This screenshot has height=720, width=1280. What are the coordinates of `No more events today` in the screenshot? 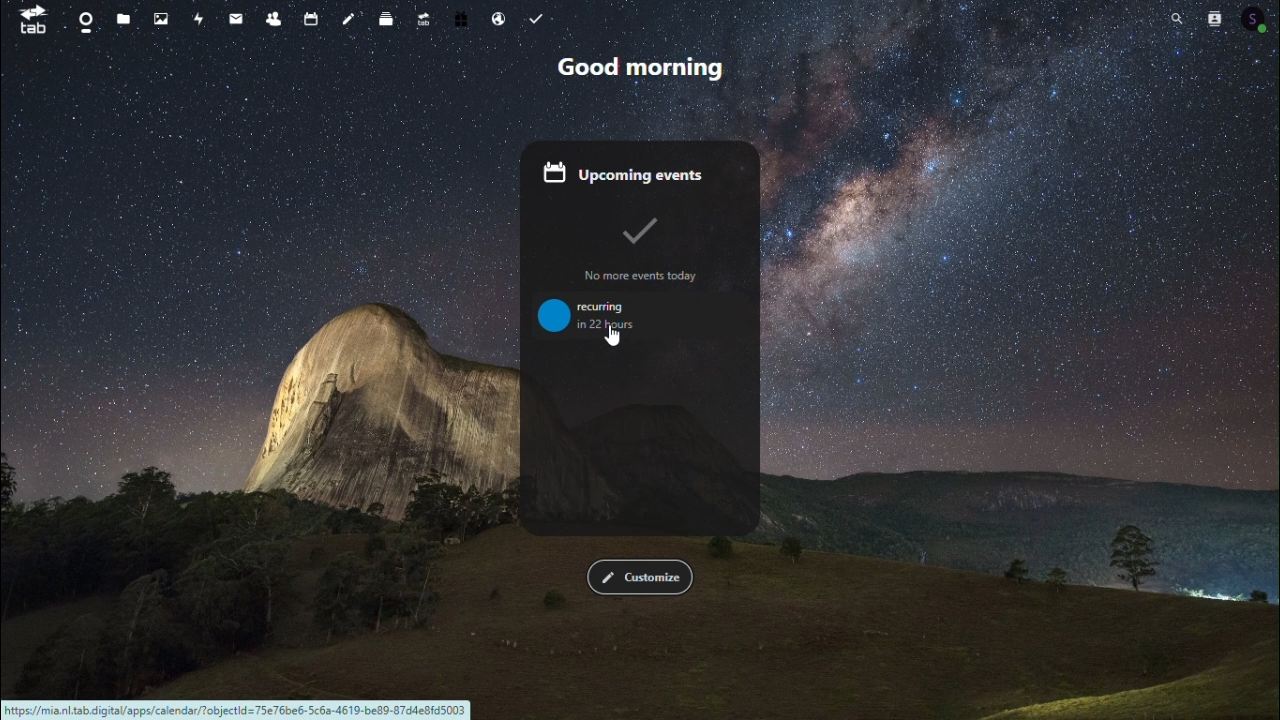 It's located at (640, 279).